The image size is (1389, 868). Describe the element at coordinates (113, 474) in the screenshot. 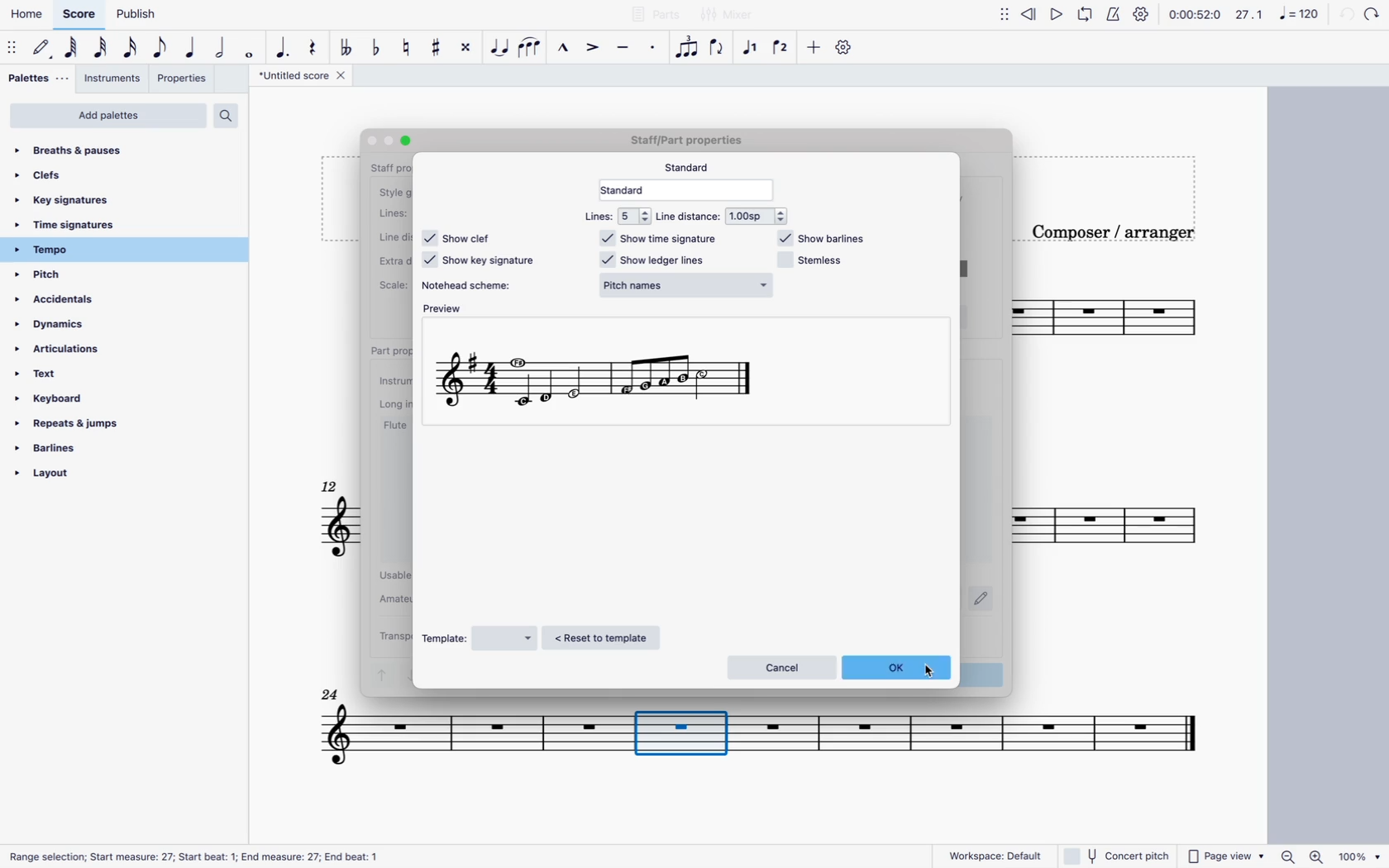

I see `layout` at that location.